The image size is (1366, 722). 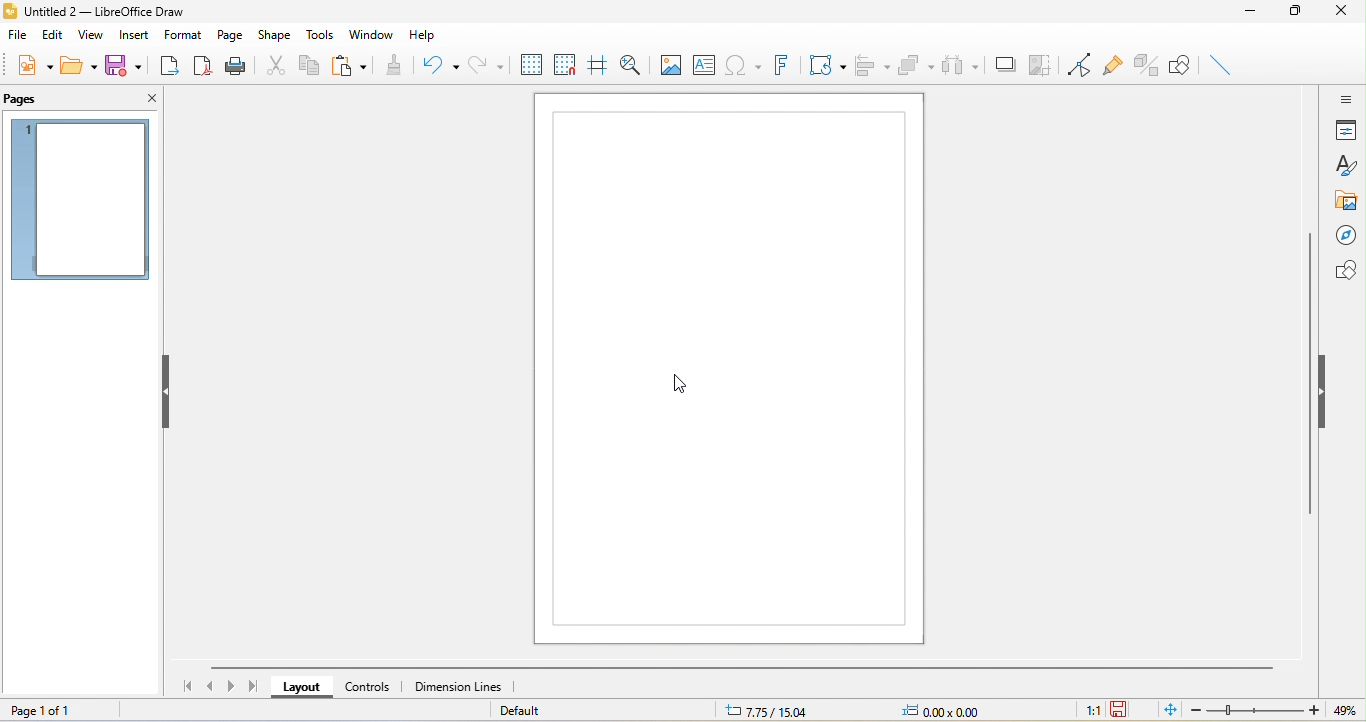 What do you see at coordinates (29, 64) in the screenshot?
I see `new` at bounding box center [29, 64].